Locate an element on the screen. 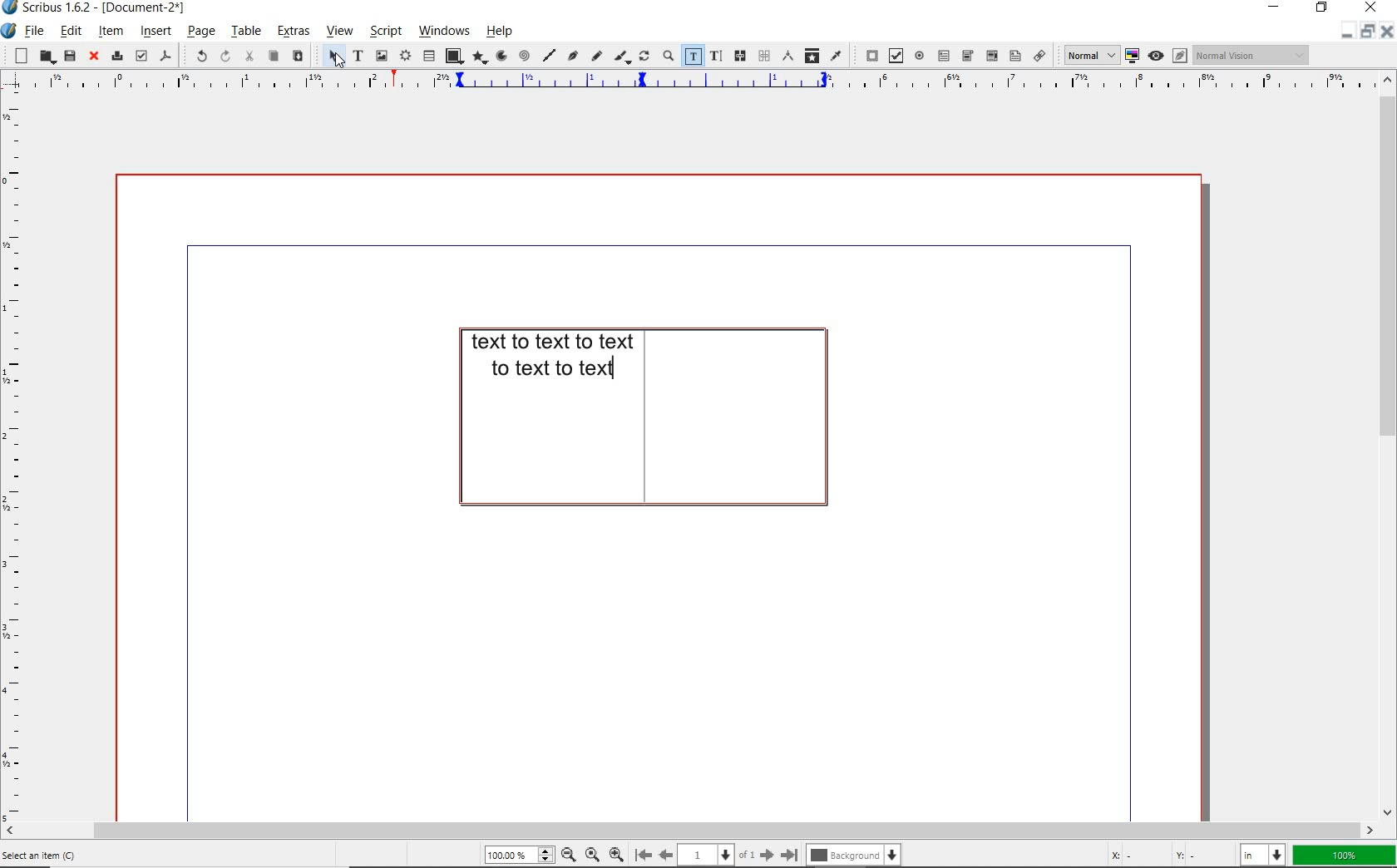  go to next page is located at coordinates (768, 855).